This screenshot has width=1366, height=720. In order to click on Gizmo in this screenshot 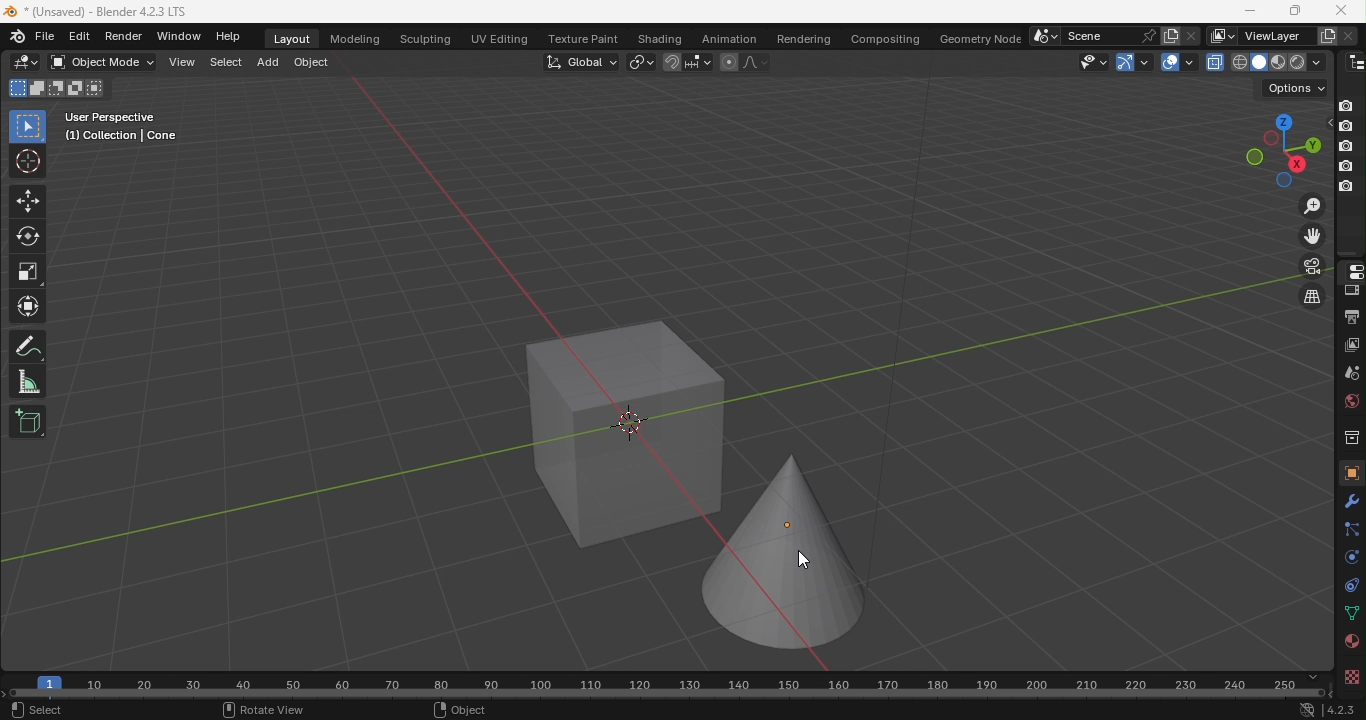, I will do `click(1122, 61)`.